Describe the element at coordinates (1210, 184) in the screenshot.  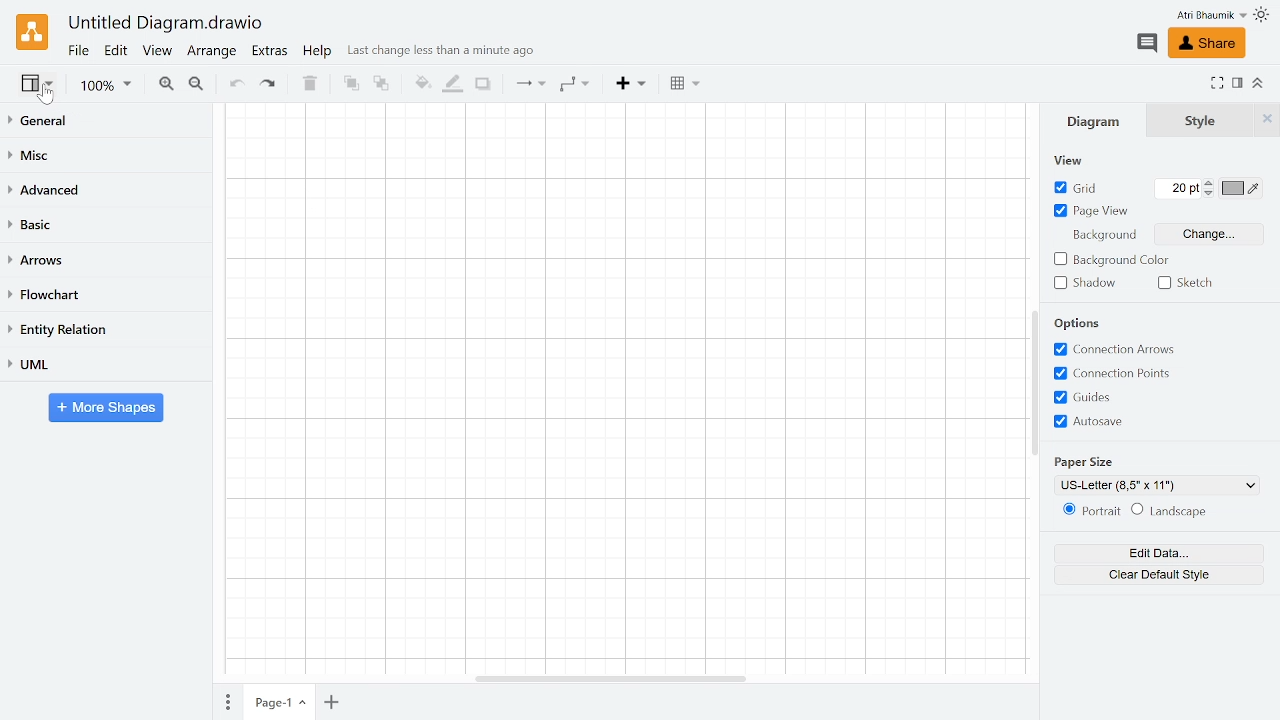
I see `Increase grid pt` at that location.